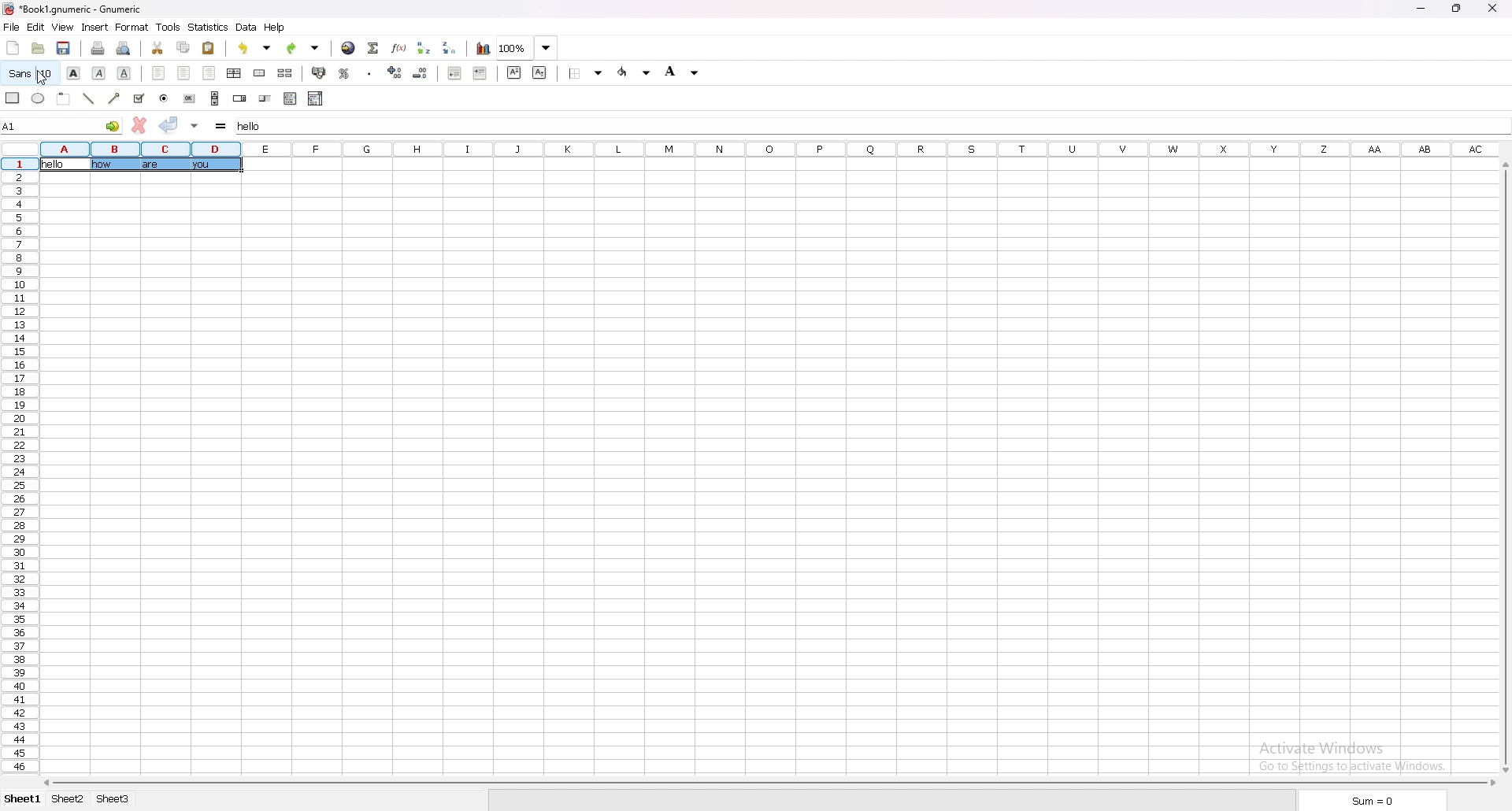 The width and height of the screenshot is (1512, 811). I want to click on left align, so click(159, 73).